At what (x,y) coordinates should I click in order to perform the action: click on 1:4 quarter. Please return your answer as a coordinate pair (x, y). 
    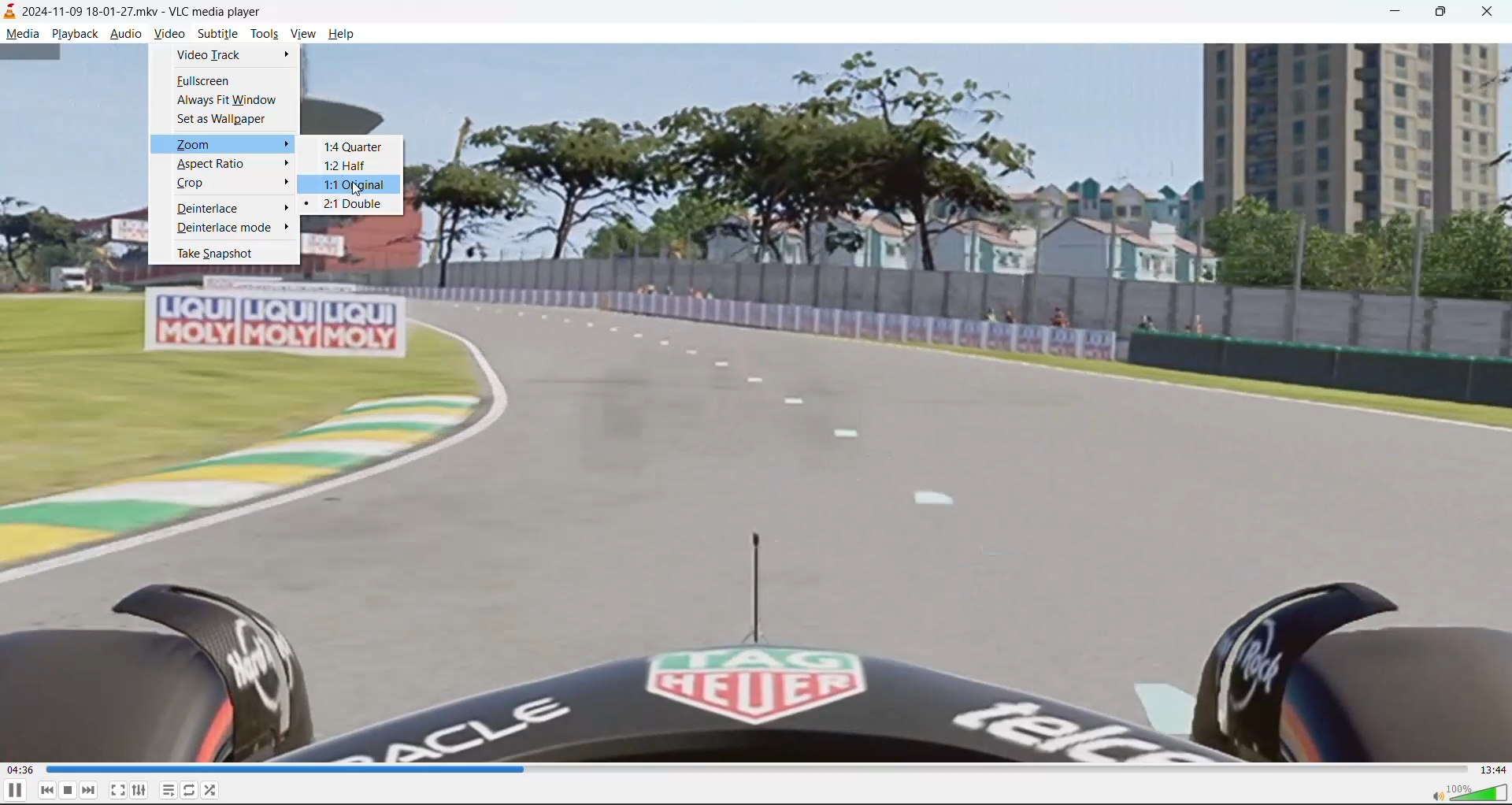
    Looking at the image, I should click on (350, 147).